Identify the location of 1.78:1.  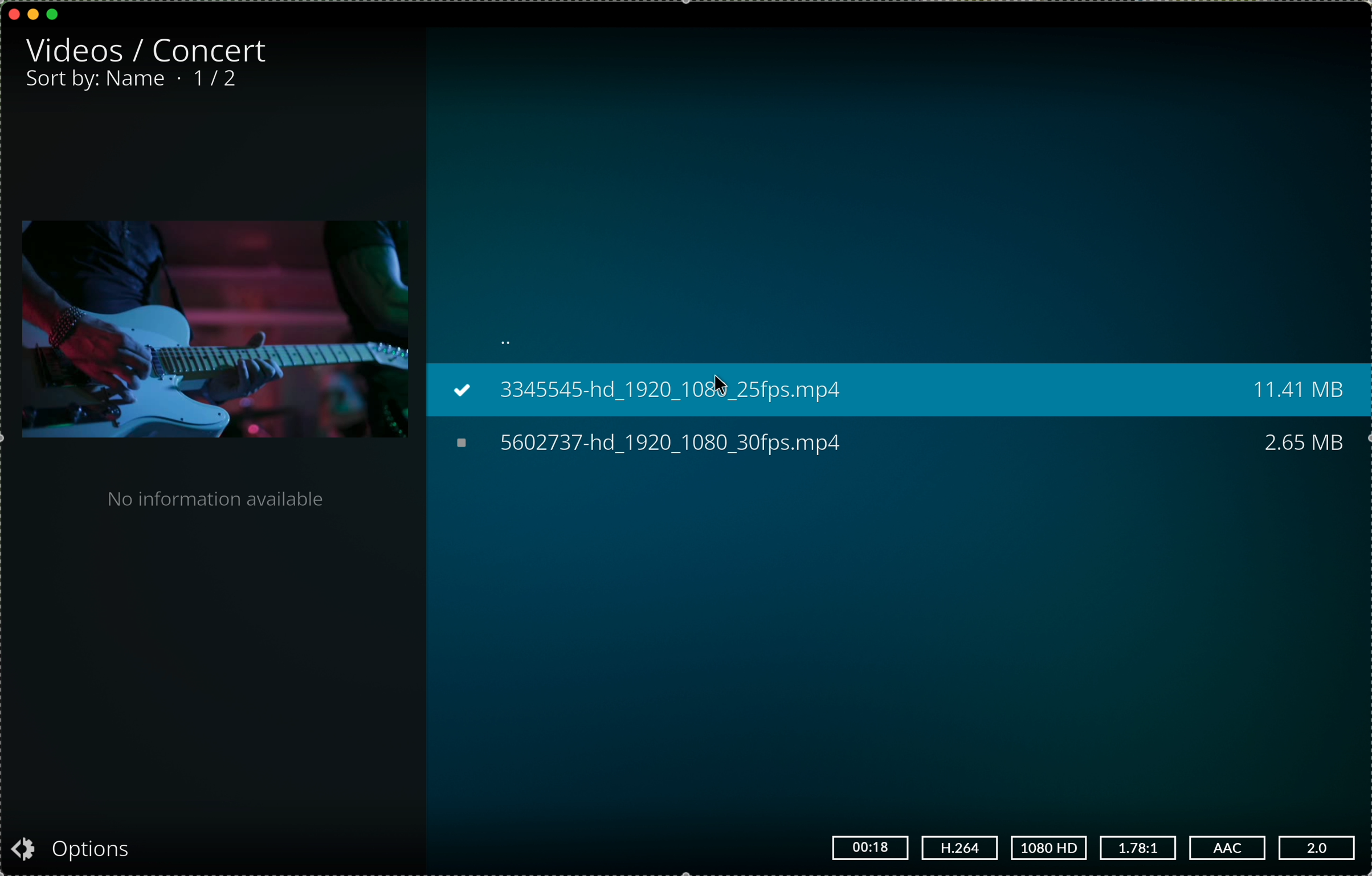
(1138, 849).